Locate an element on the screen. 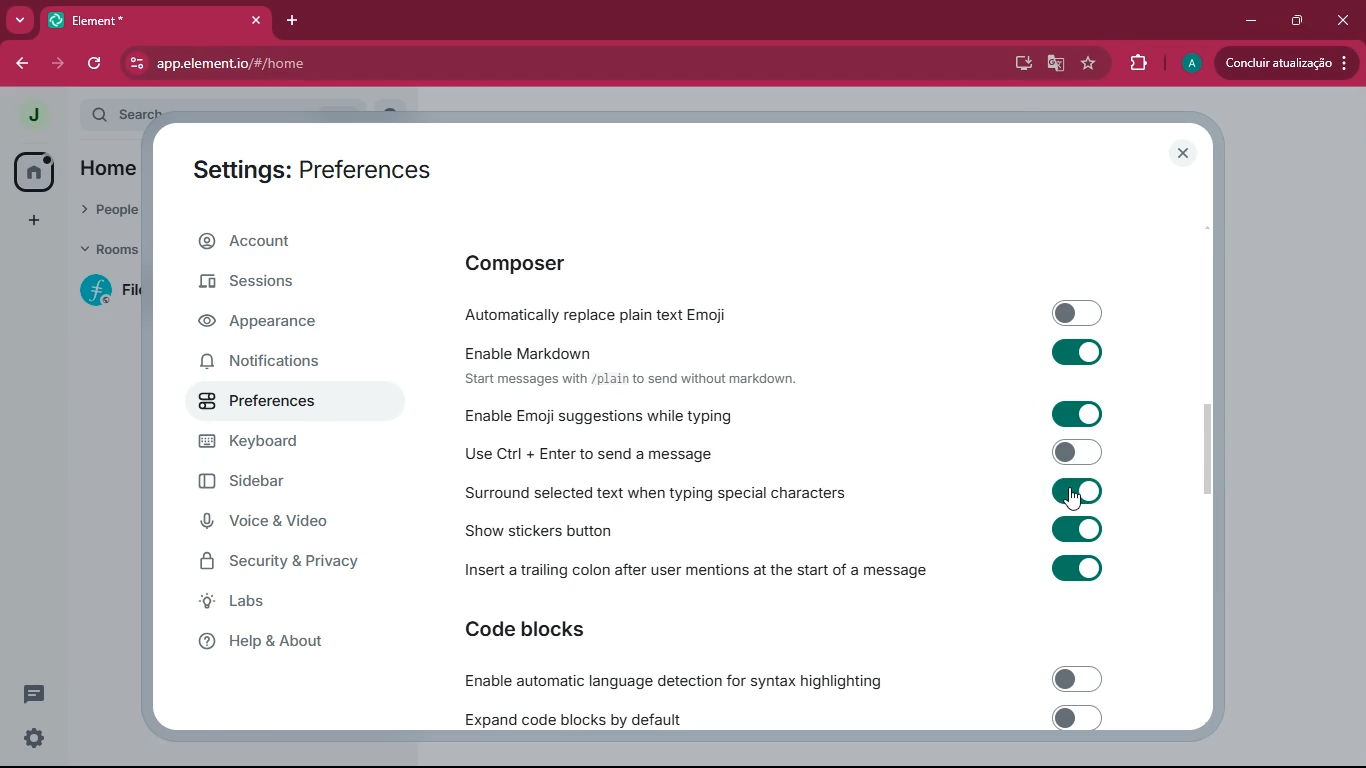  close is located at coordinates (1185, 155).